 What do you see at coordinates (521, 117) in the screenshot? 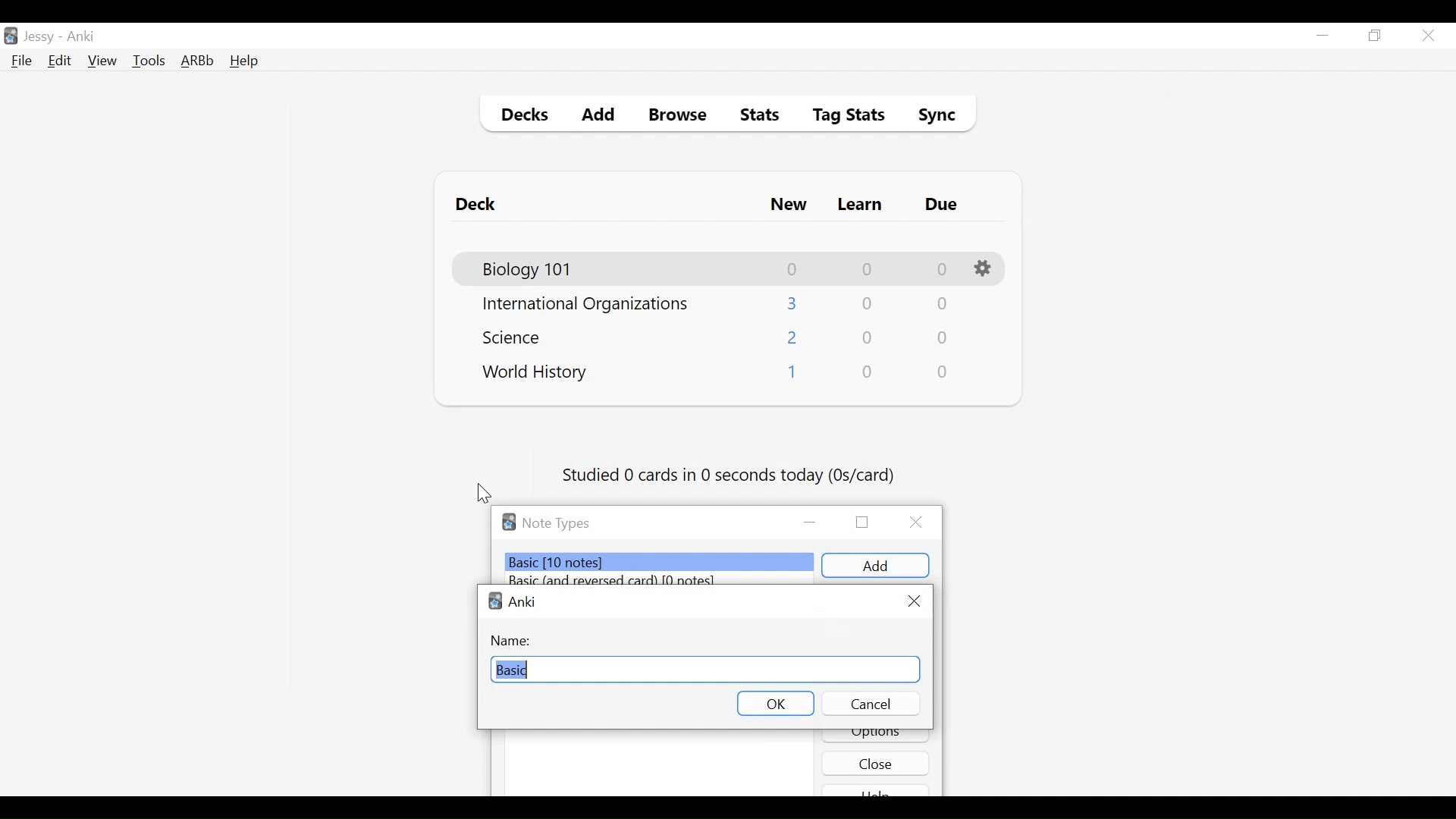
I see `Decks` at bounding box center [521, 117].